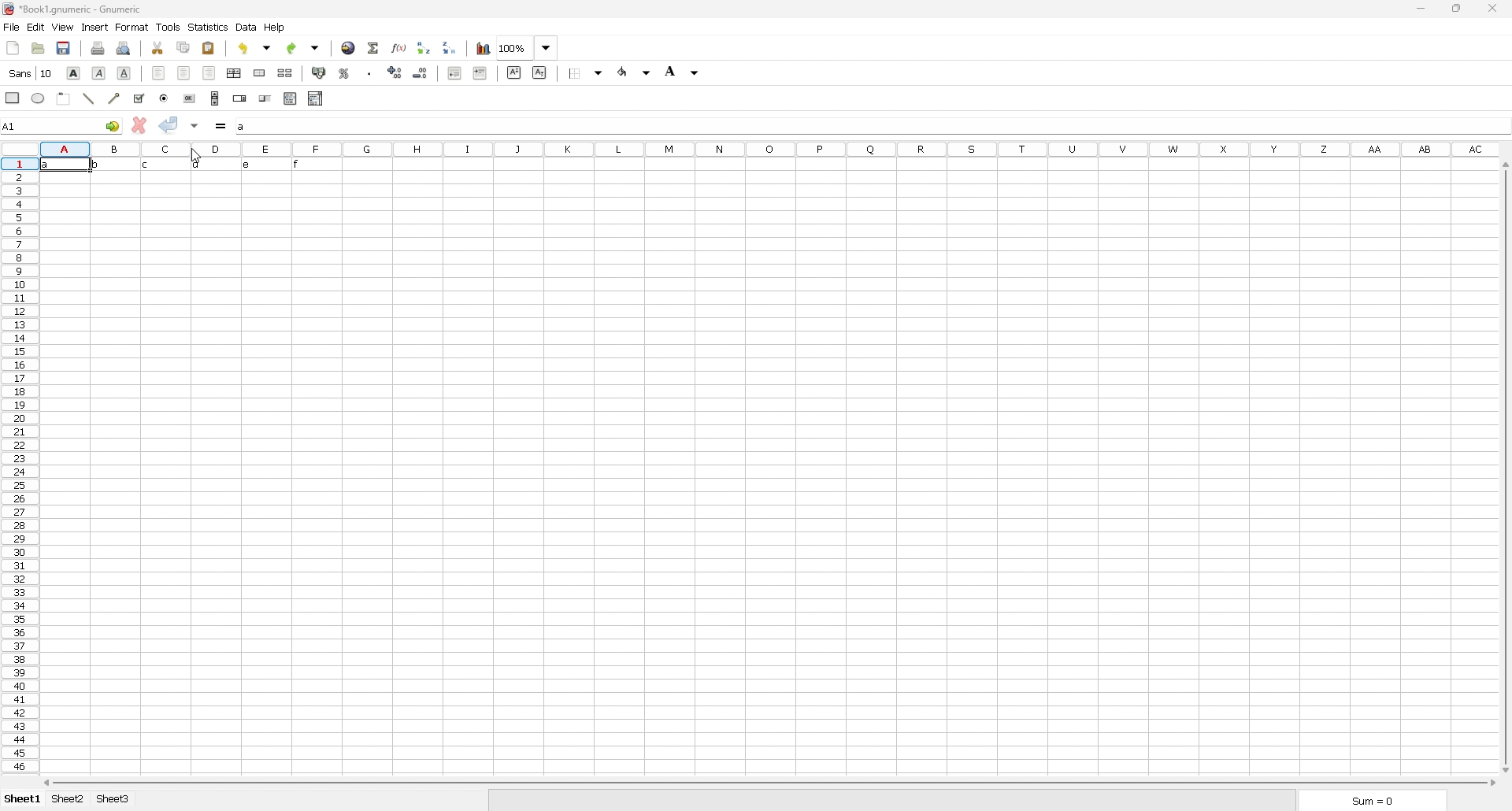 The width and height of the screenshot is (1512, 811). Describe the element at coordinates (169, 125) in the screenshot. I see `accept changes` at that location.